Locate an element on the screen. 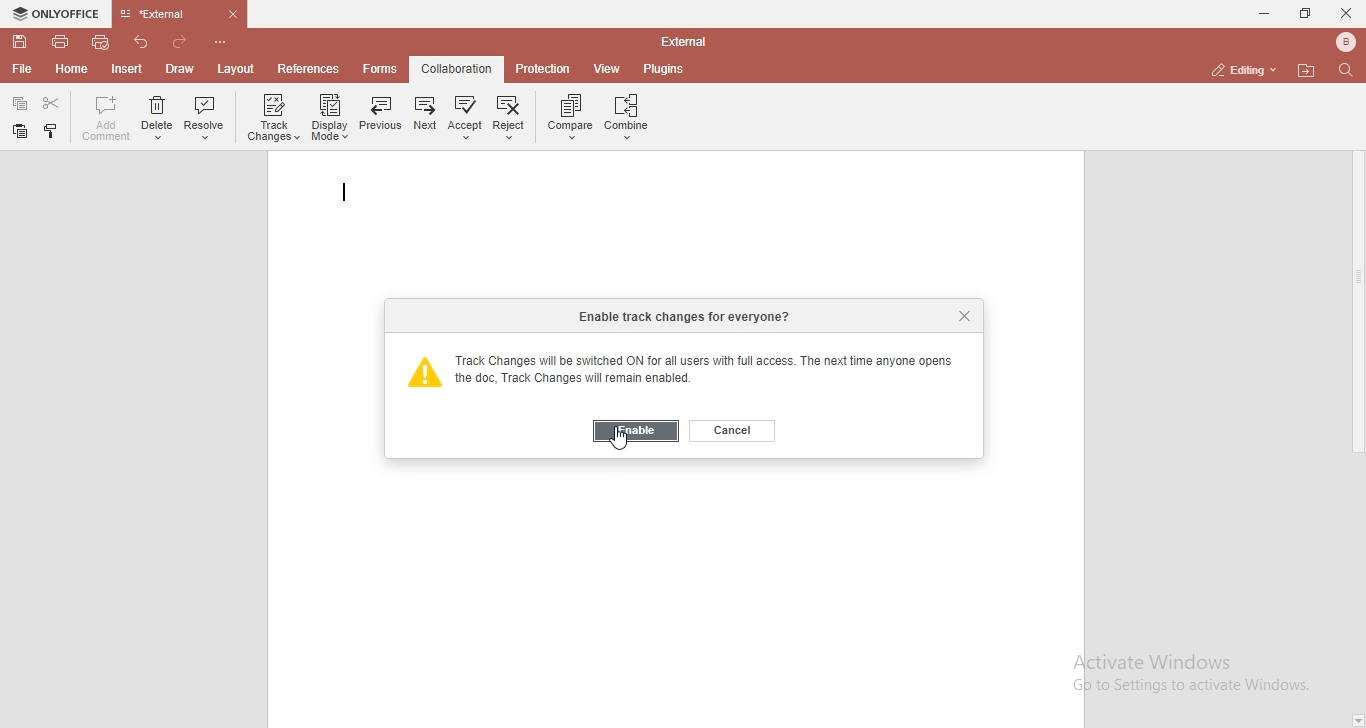  onlyoffice is located at coordinates (58, 13).